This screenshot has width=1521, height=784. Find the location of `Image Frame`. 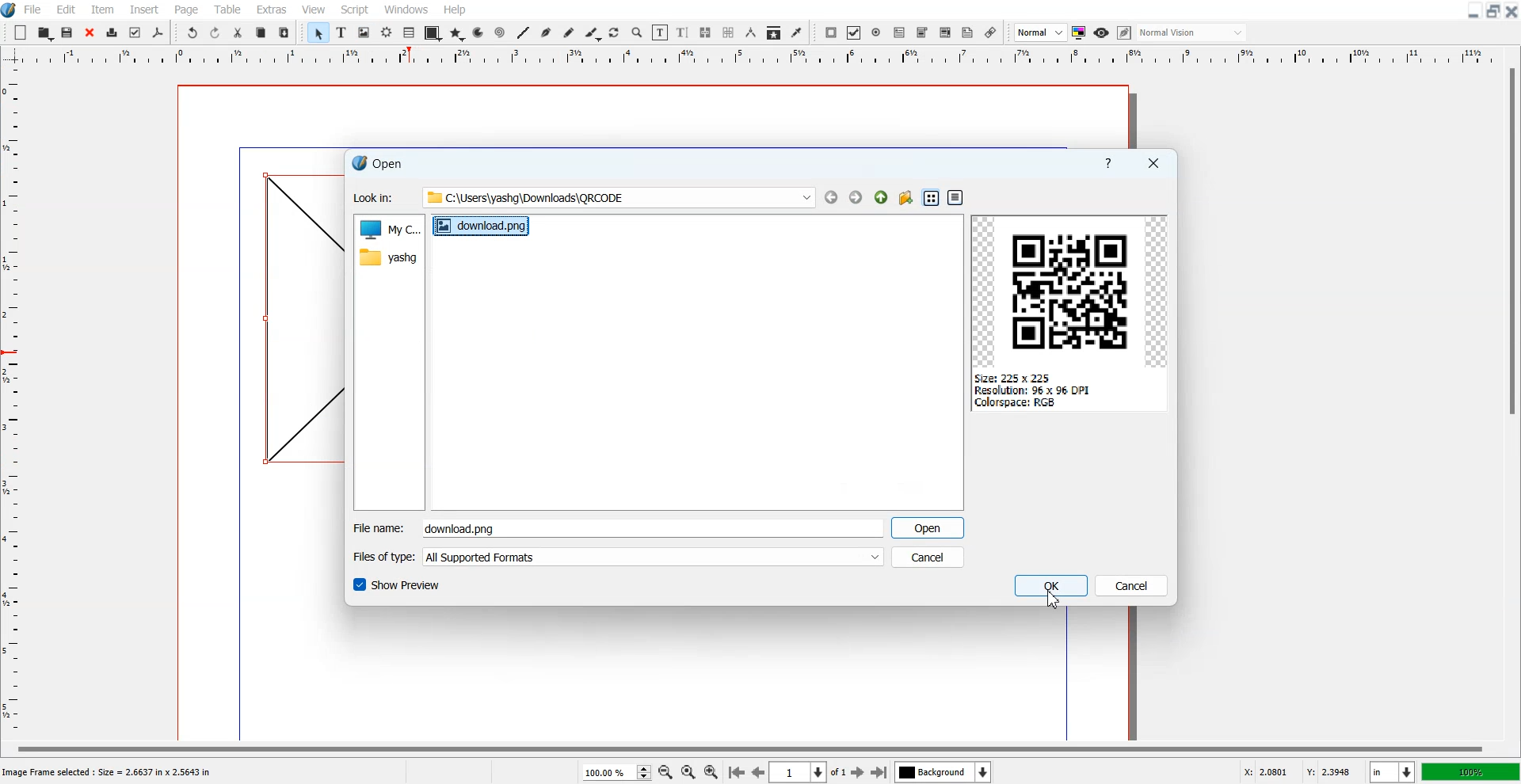

Image Frame is located at coordinates (364, 32).